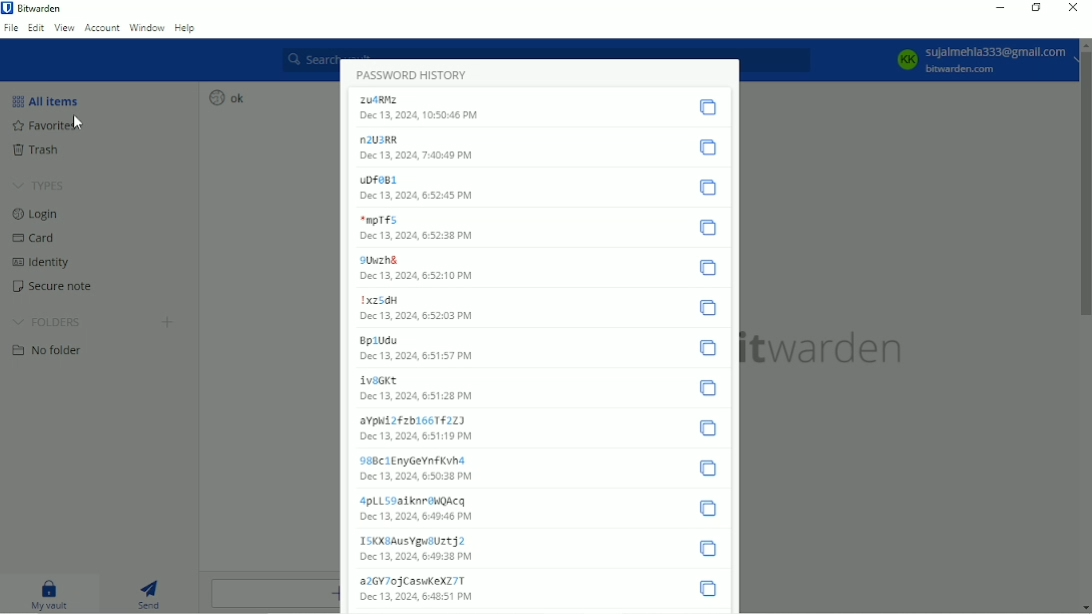  I want to click on Favorites, so click(44, 127).